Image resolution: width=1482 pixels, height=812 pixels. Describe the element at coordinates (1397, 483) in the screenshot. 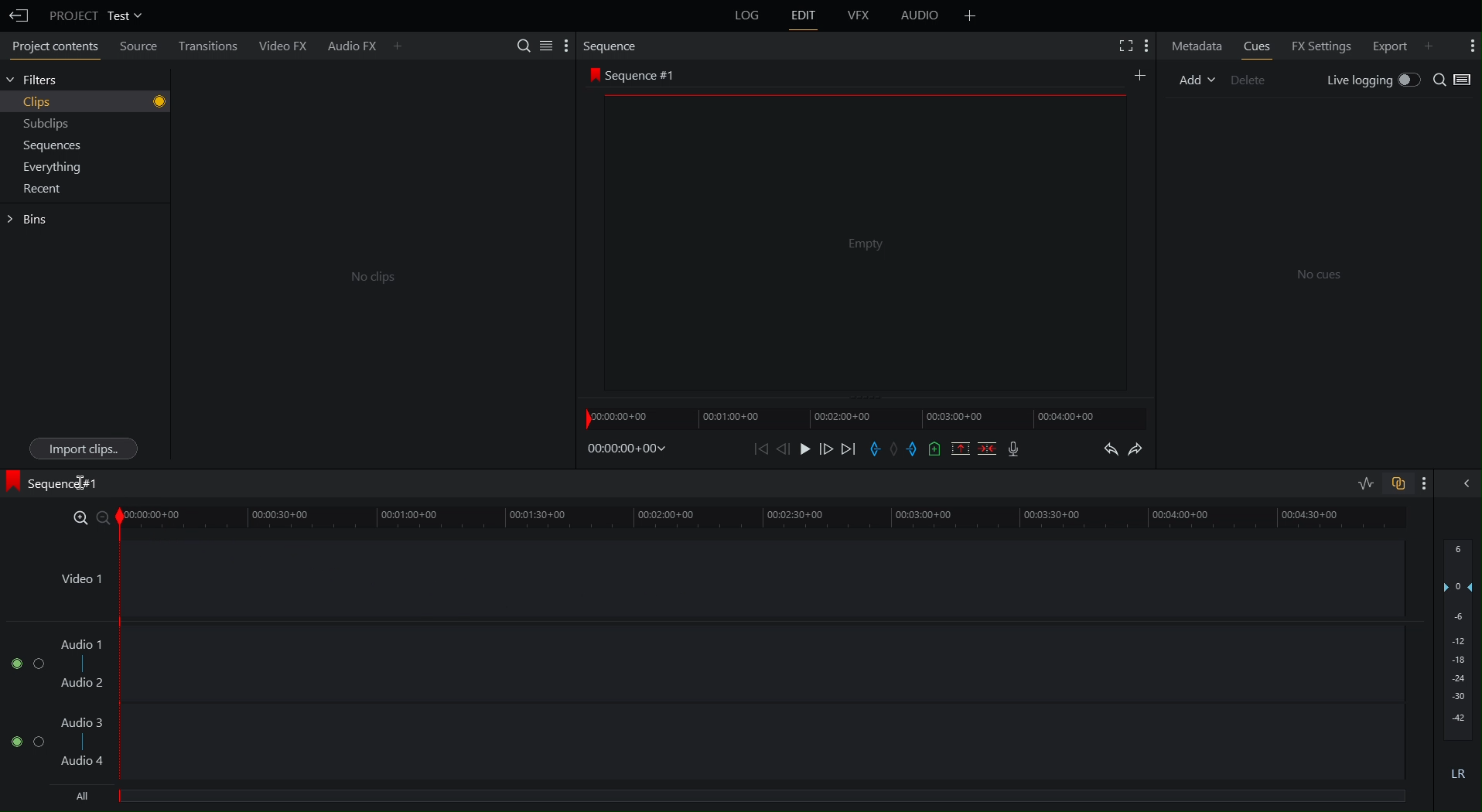

I see `Toggle auto track sync` at that location.